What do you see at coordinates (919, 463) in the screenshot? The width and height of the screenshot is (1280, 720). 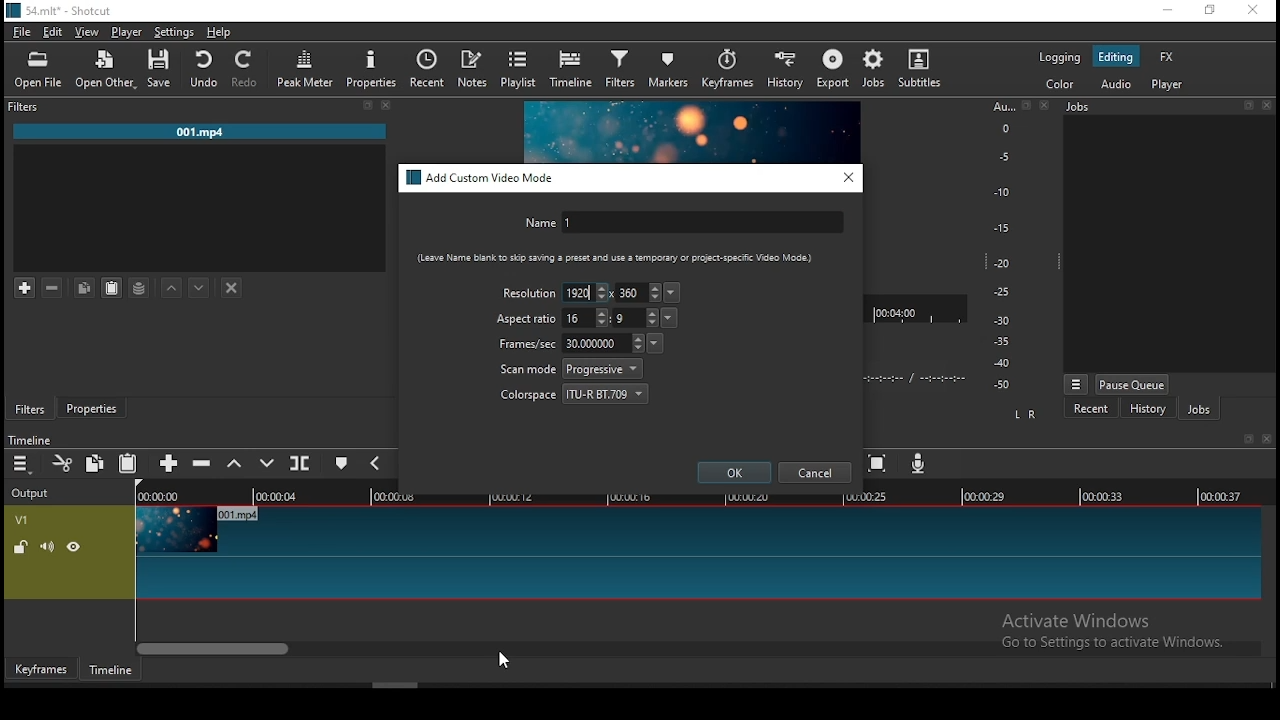 I see `record audio` at bounding box center [919, 463].